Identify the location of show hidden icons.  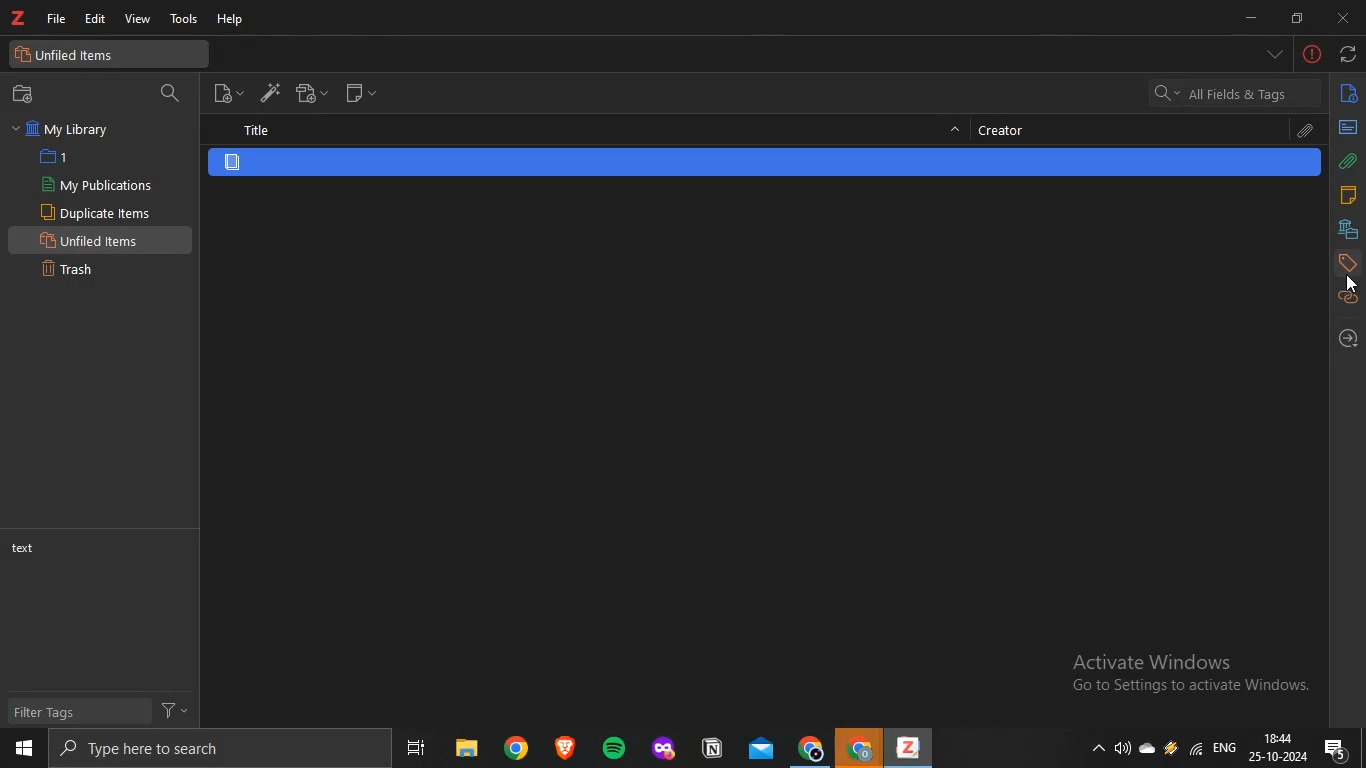
(1093, 748).